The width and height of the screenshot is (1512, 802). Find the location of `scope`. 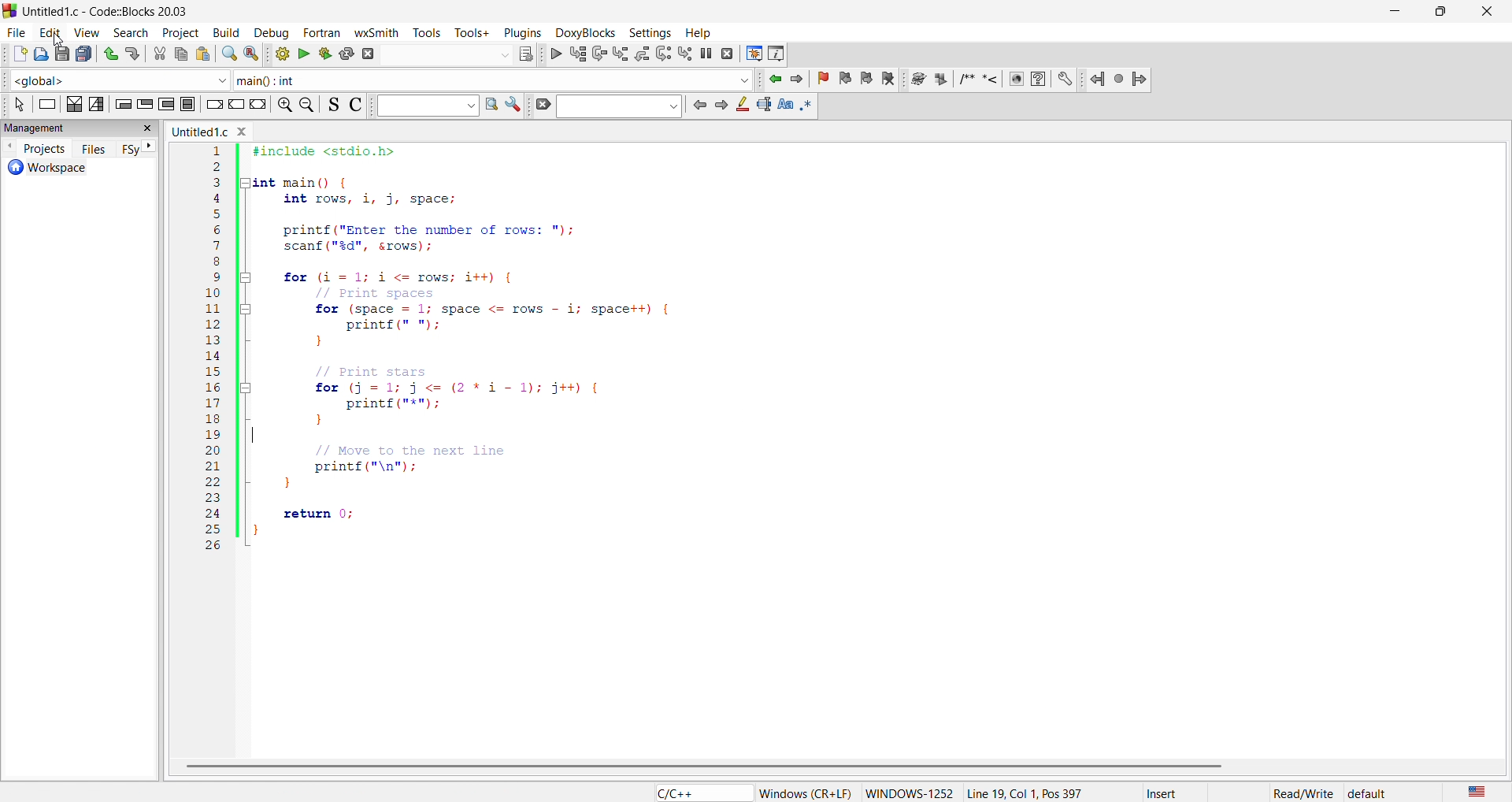

scope is located at coordinates (117, 80).